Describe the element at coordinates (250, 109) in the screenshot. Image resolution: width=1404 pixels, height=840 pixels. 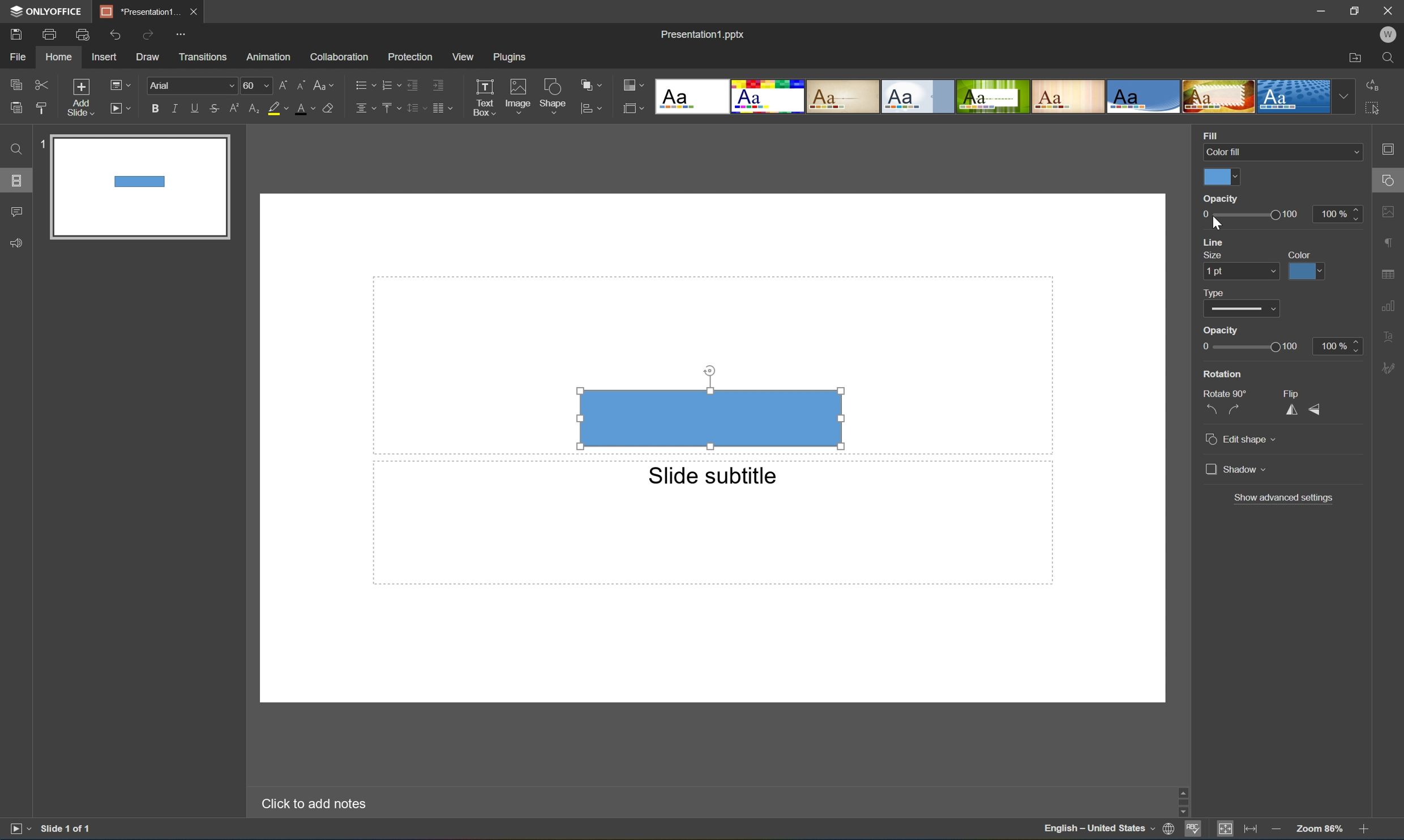
I see `Subscript` at that location.